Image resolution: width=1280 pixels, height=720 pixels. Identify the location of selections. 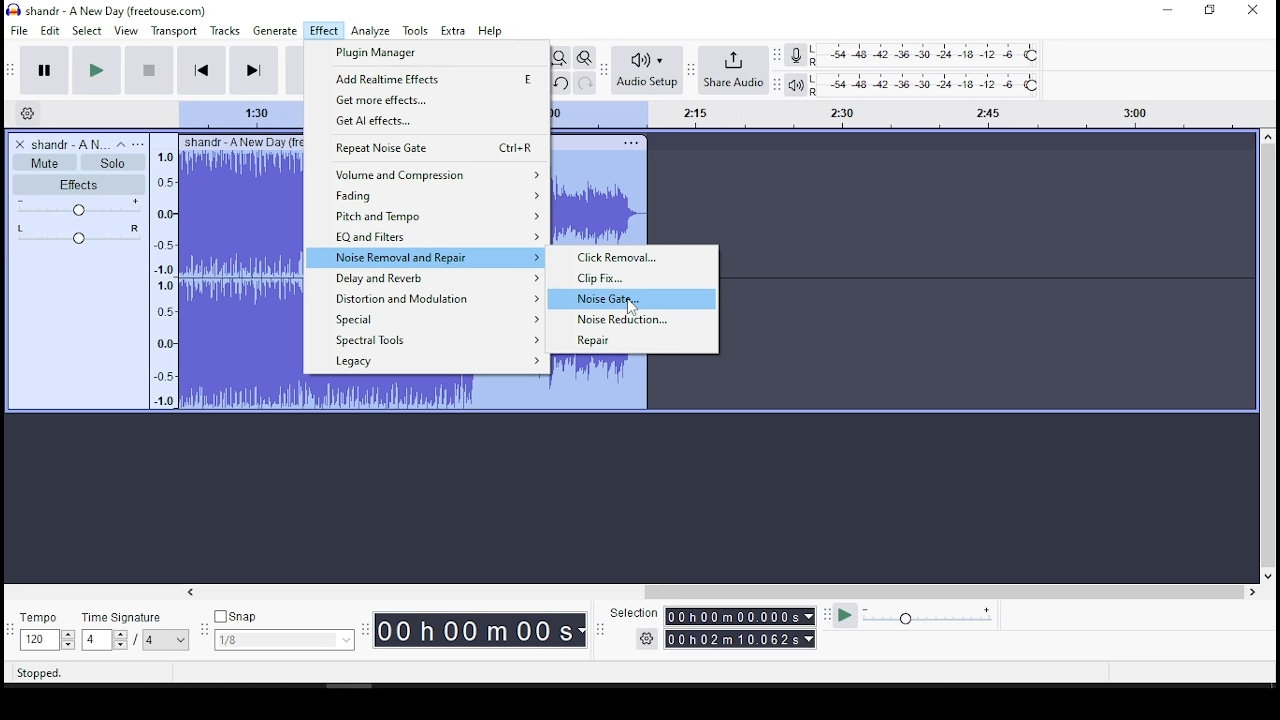
(714, 627).